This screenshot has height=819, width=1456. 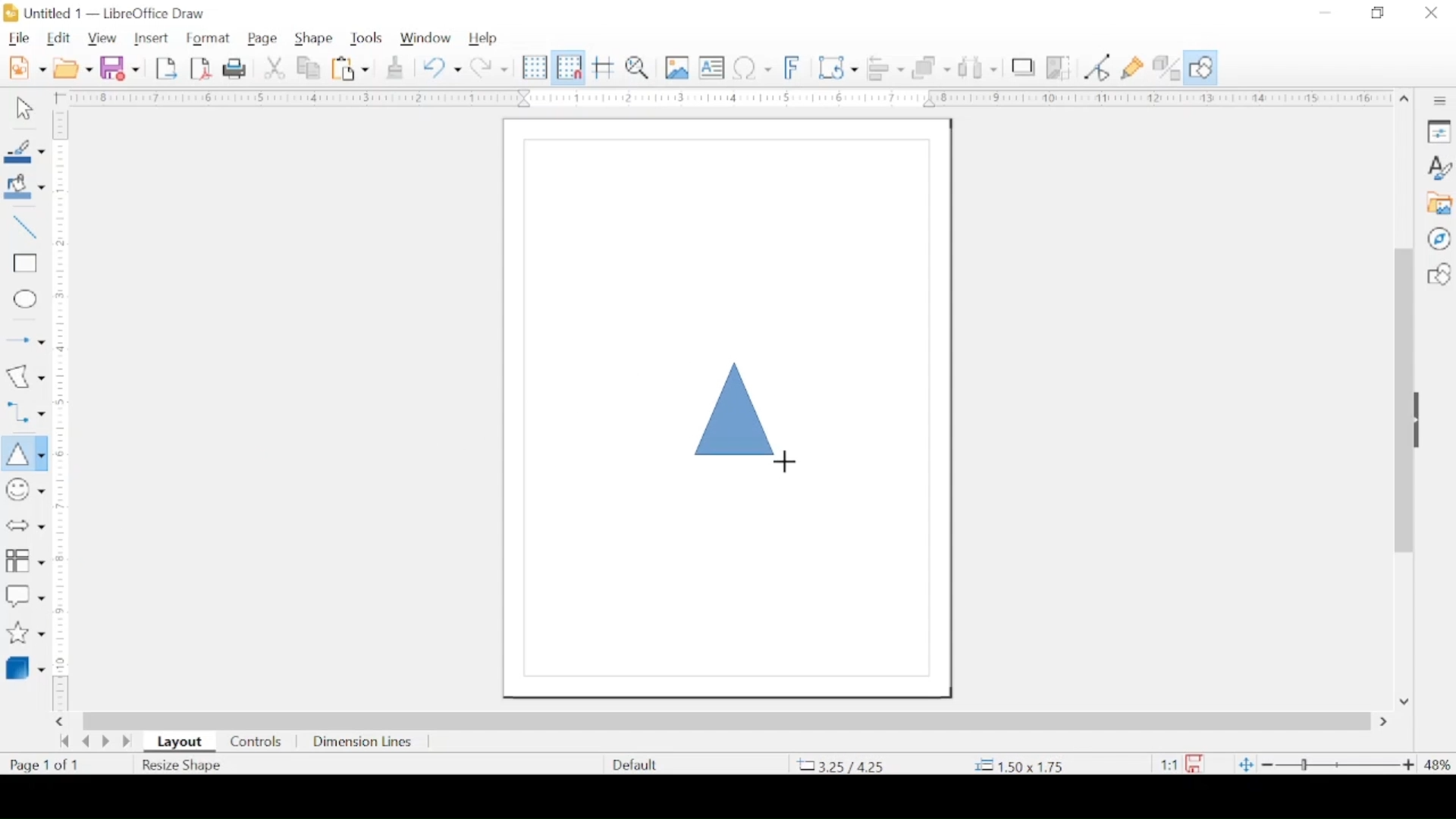 What do you see at coordinates (724, 99) in the screenshot?
I see `margin` at bounding box center [724, 99].